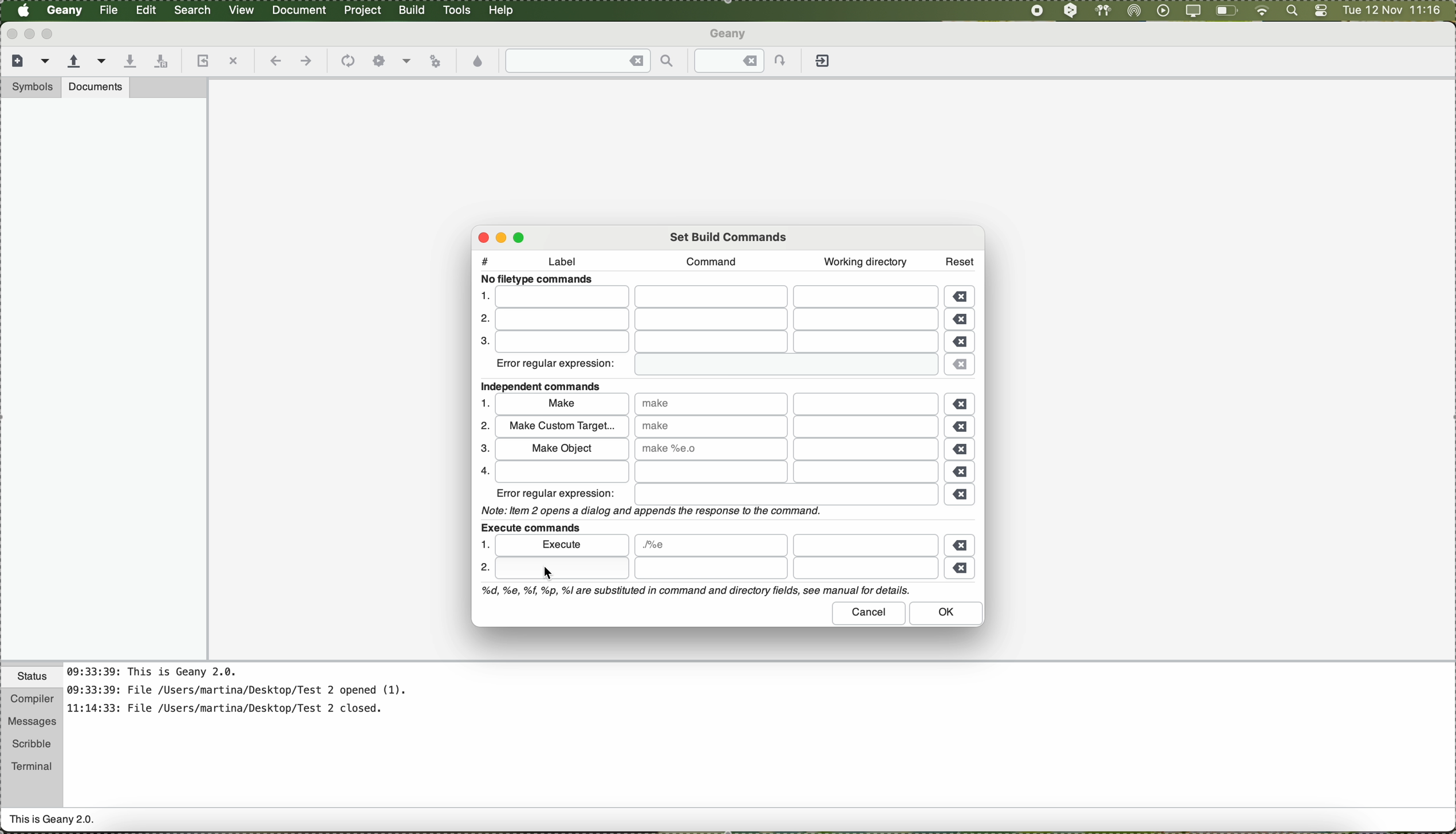 The image size is (1456, 834). I want to click on execute commands, so click(530, 526).